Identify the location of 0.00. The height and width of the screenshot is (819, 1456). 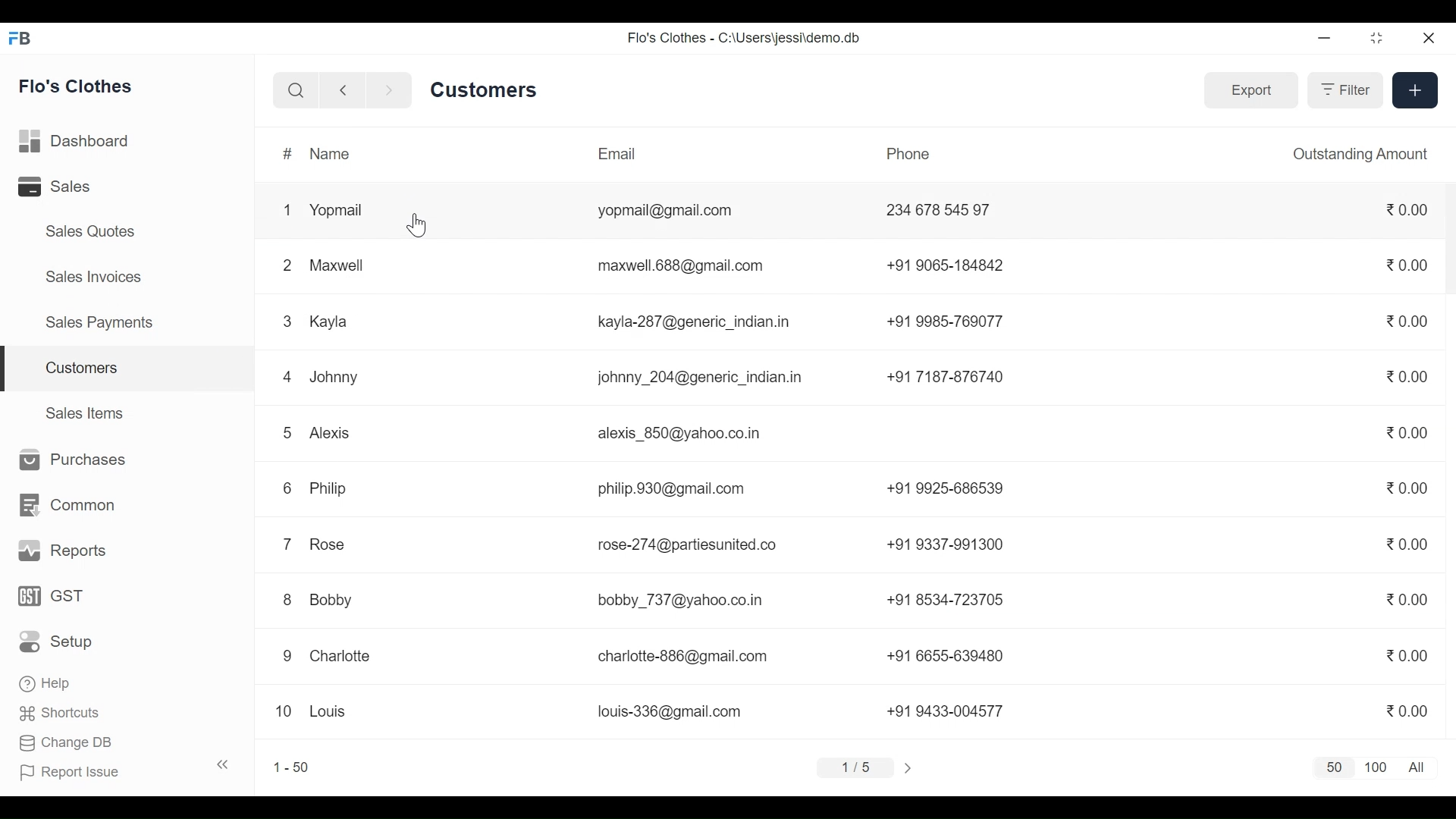
(1407, 375).